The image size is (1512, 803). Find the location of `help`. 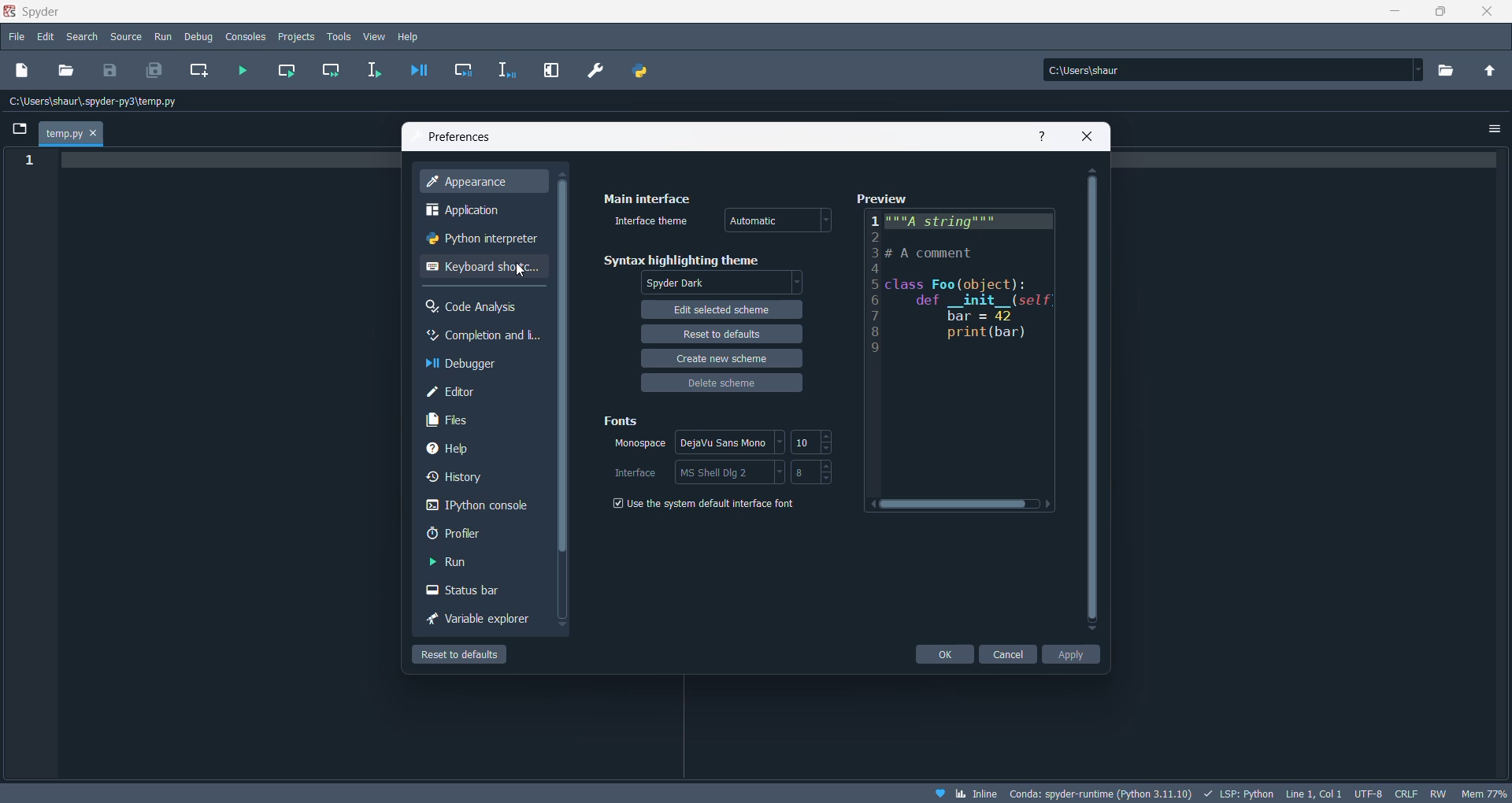

help is located at coordinates (410, 37).